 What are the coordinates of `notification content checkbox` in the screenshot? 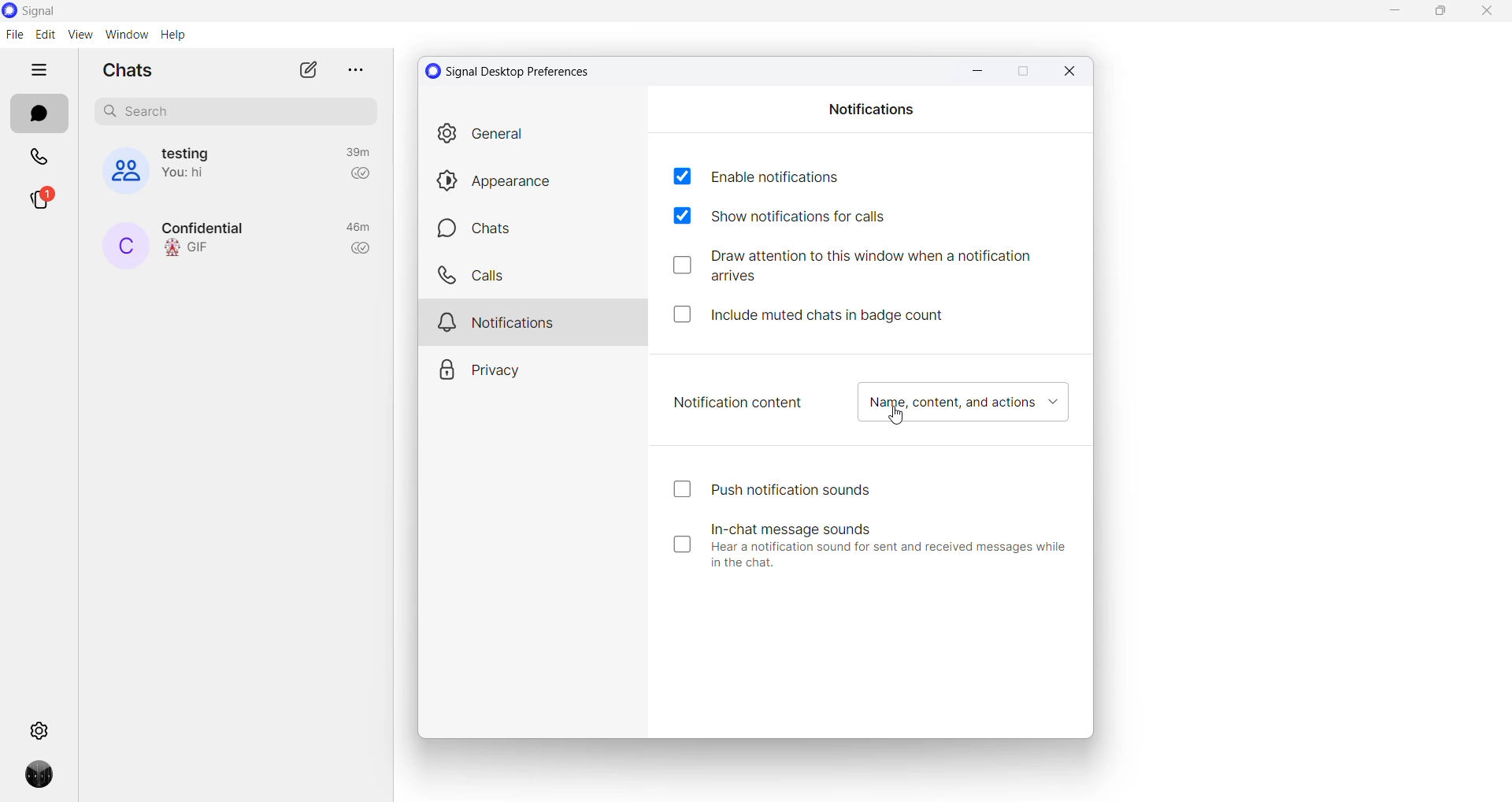 It's located at (968, 405).